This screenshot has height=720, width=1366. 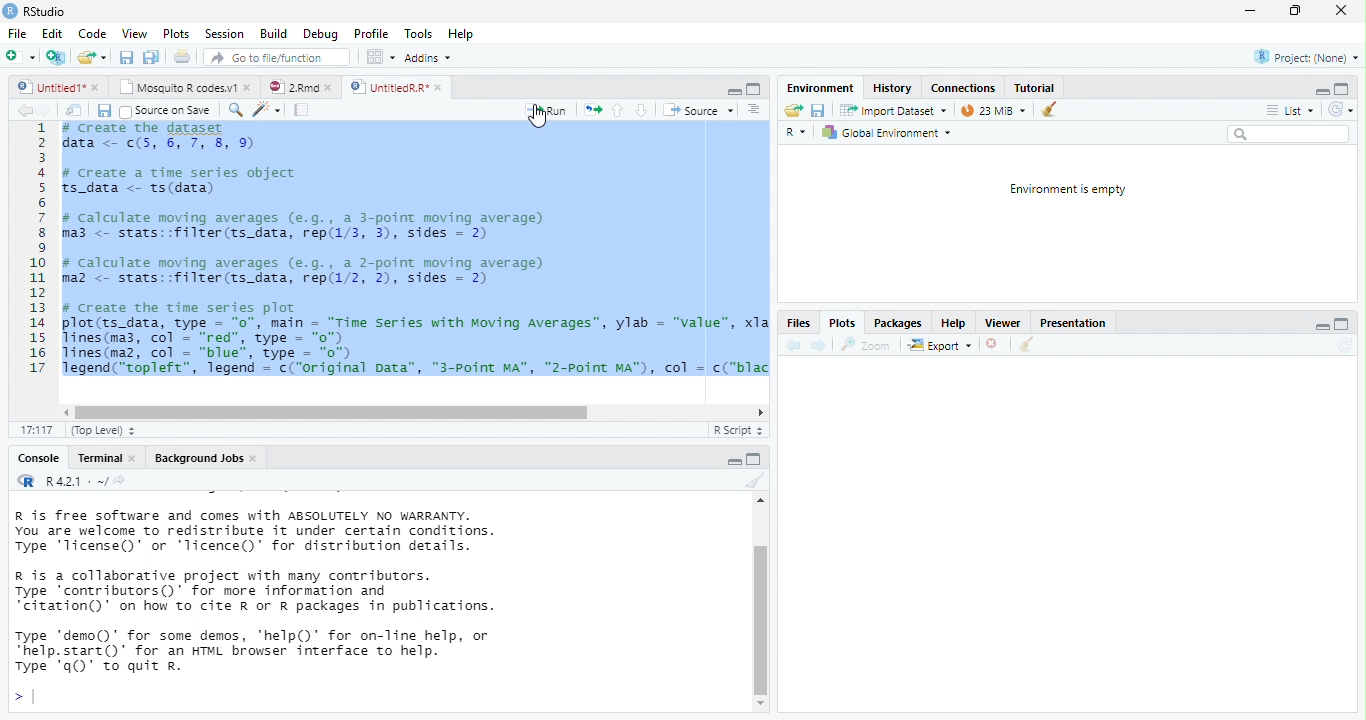 What do you see at coordinates (886, 133) in the screenshot?
I see `Global Environment` at bounding box center [886, 133].